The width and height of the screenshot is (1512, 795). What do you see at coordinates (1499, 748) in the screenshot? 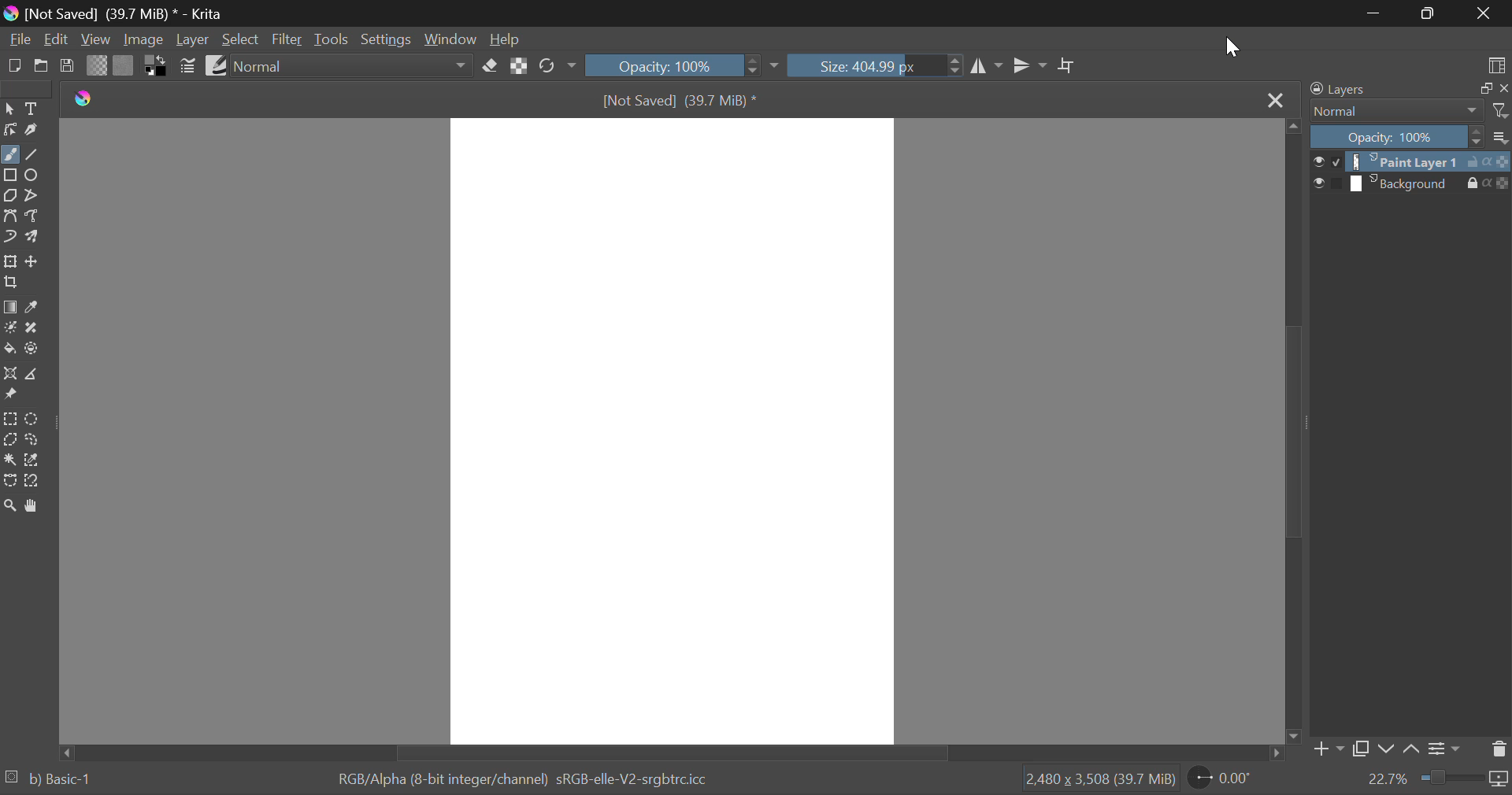
I see `Delete Layer` at bounding box center [1499, 748].